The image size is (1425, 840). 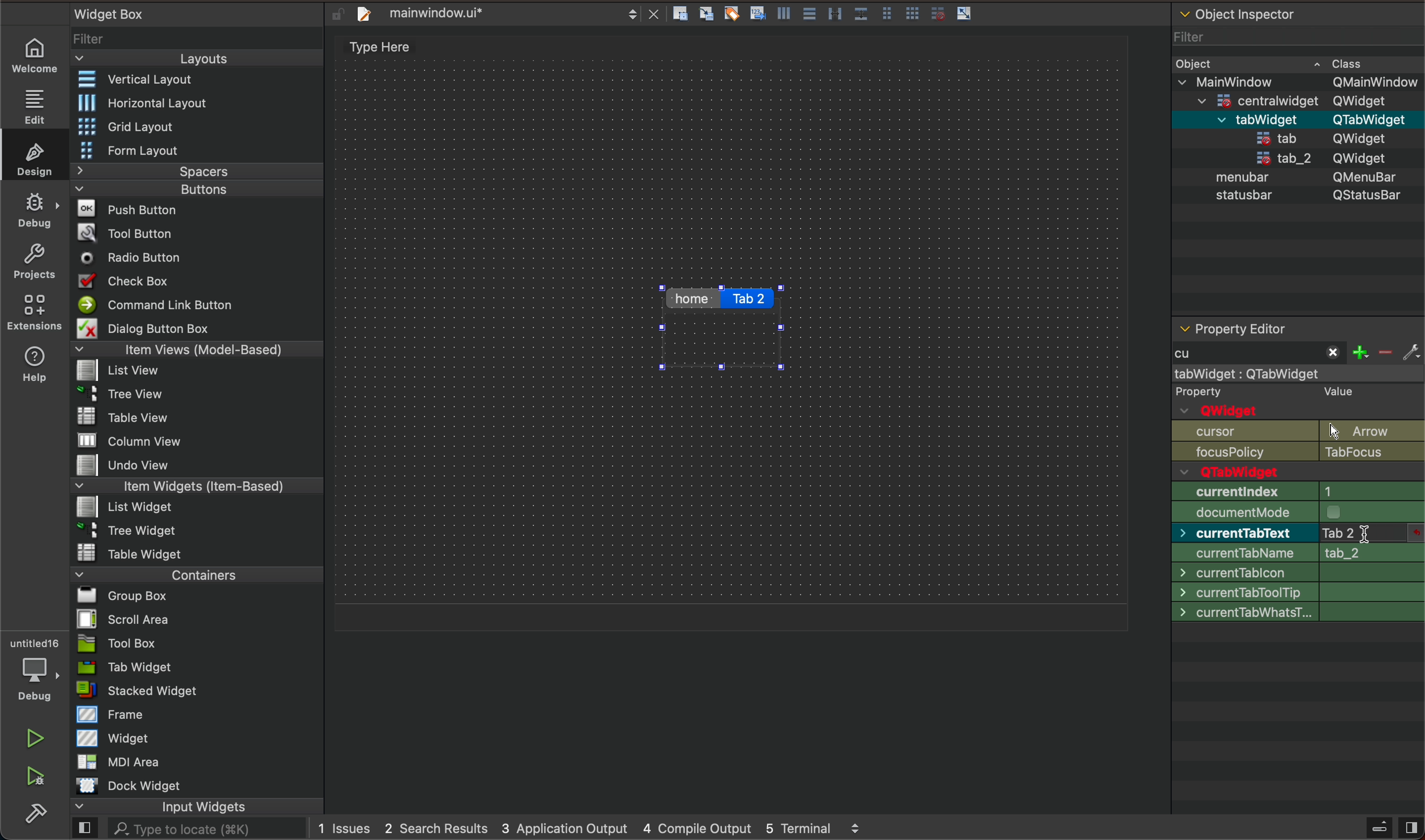 What do you see at coordinates (114, 738) in the screenshot?
I see `Widget` at bounding box center [114, 738].